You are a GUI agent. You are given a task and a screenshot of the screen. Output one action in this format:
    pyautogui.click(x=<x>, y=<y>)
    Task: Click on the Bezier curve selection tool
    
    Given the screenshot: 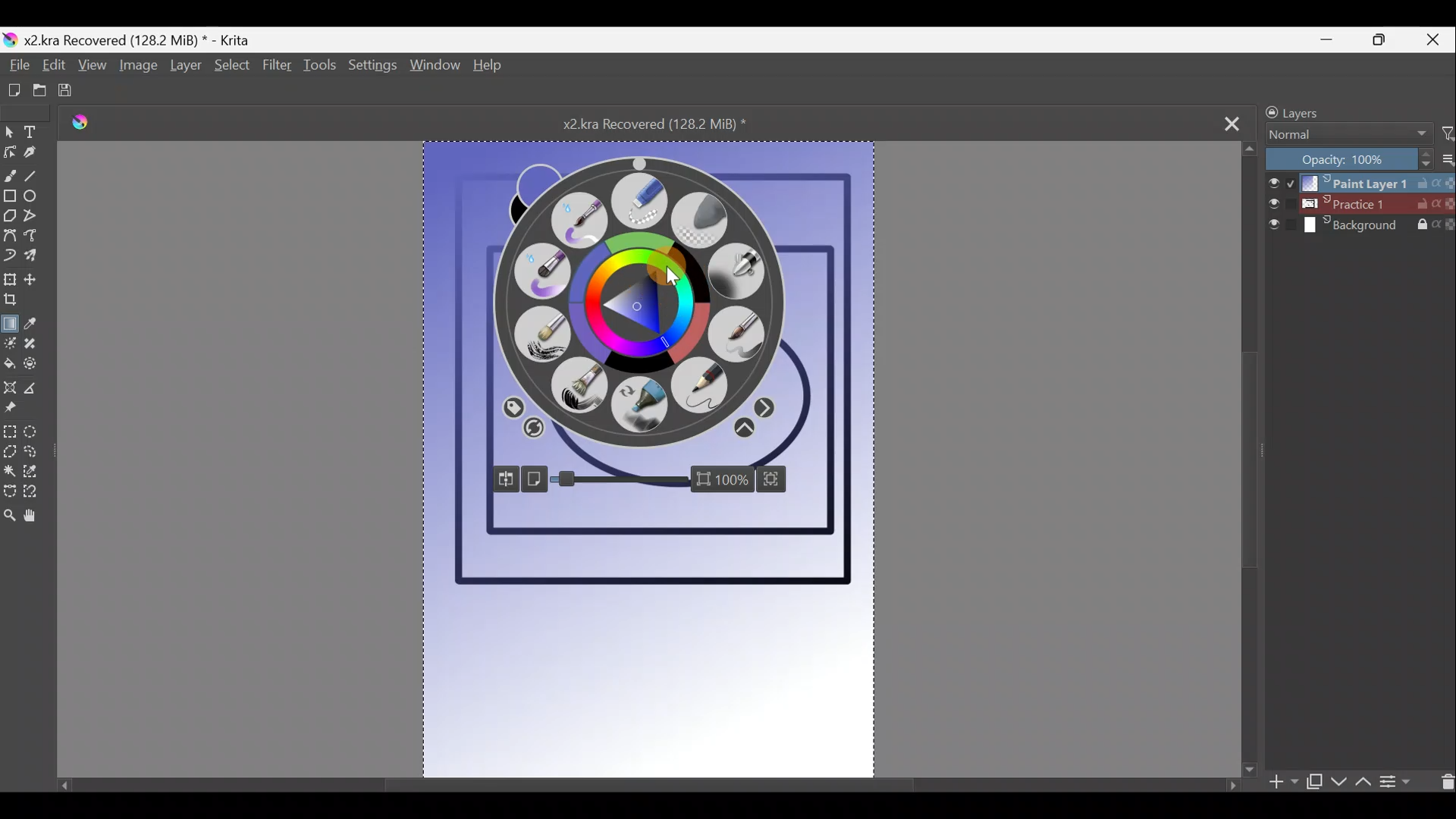 What is the action you would take?
    pyautogui.click(x=9, y=493)
    